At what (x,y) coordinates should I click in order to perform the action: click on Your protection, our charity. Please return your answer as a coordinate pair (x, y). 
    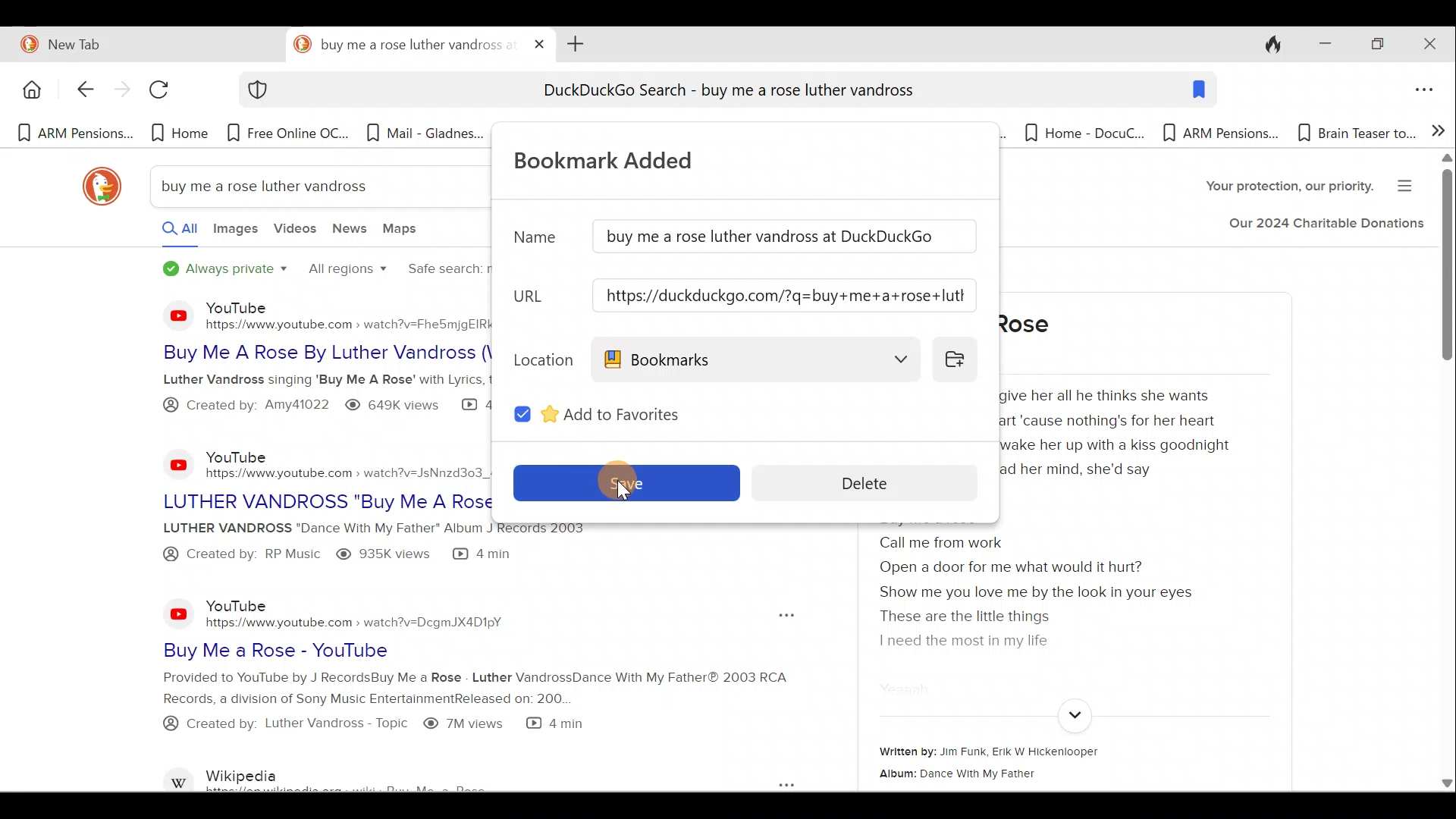
    Looking at the image, I should click on (1276, 188).